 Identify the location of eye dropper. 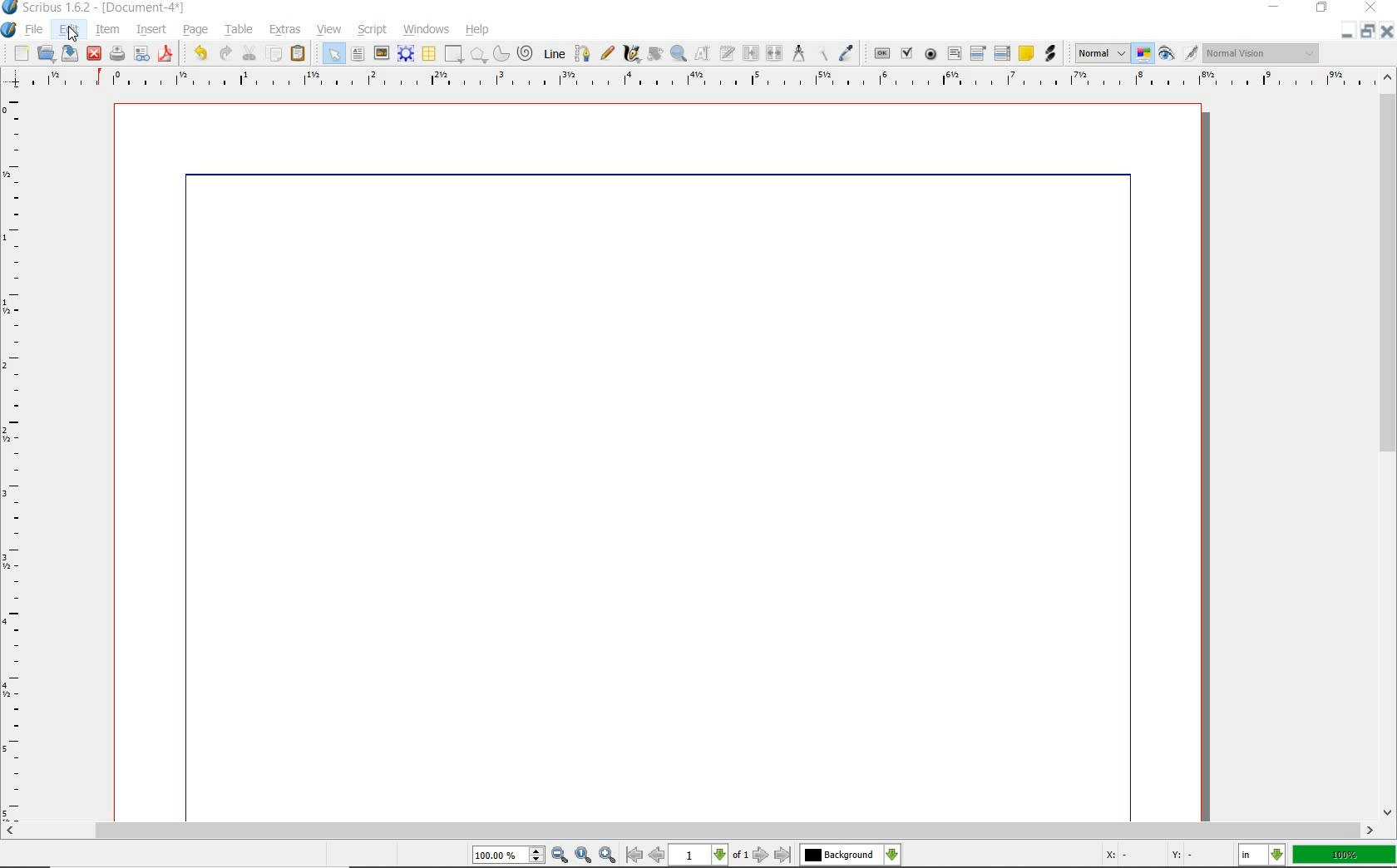
(847, 53).